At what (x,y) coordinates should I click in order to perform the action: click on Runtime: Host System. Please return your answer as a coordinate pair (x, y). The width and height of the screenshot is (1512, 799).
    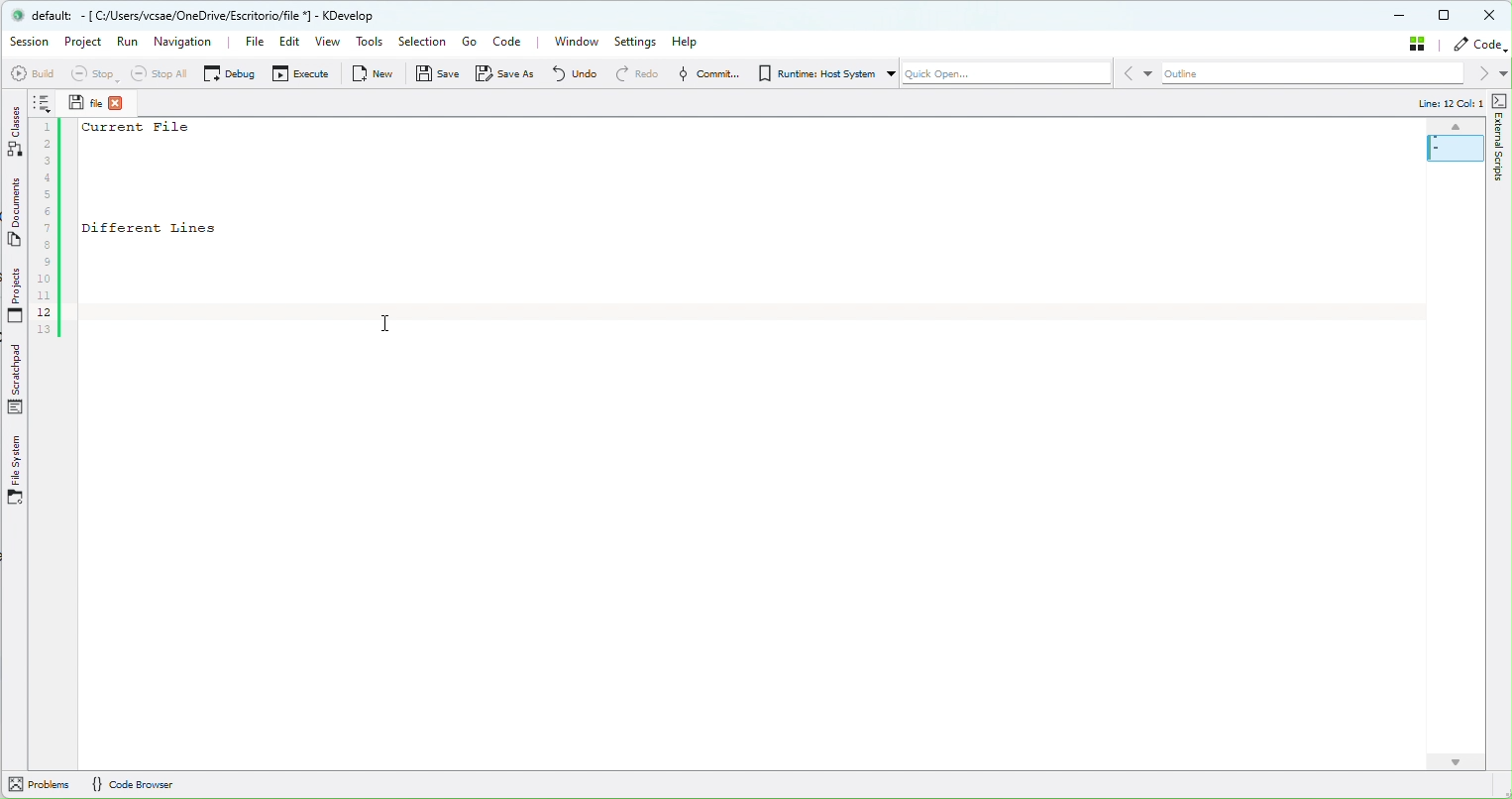
    Looking at the image, I should click on (819, 72).